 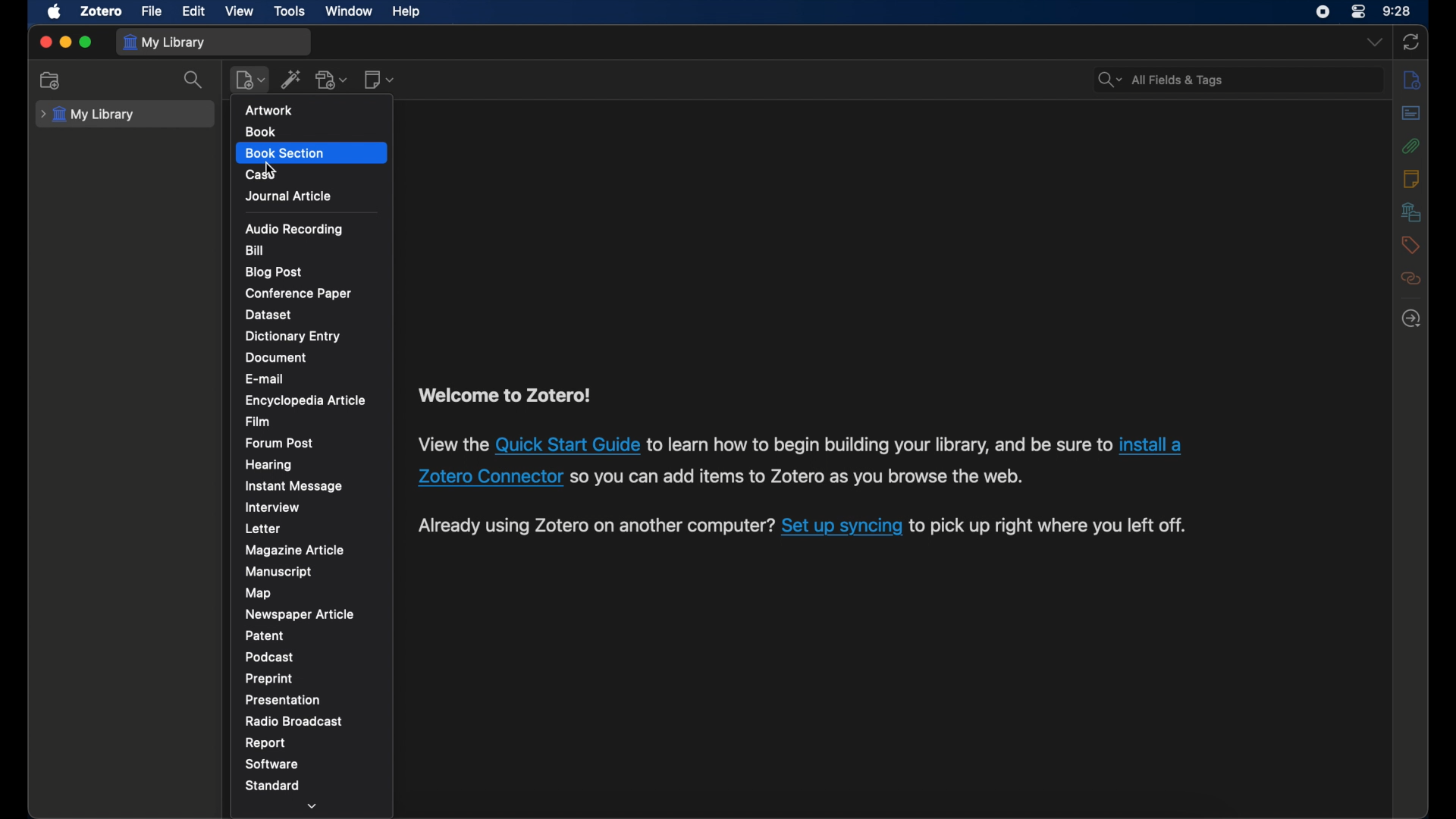 What do you see at coordinates (65, 42) in the screenshot?
I see `minimize` at bounding box center [65, 42].